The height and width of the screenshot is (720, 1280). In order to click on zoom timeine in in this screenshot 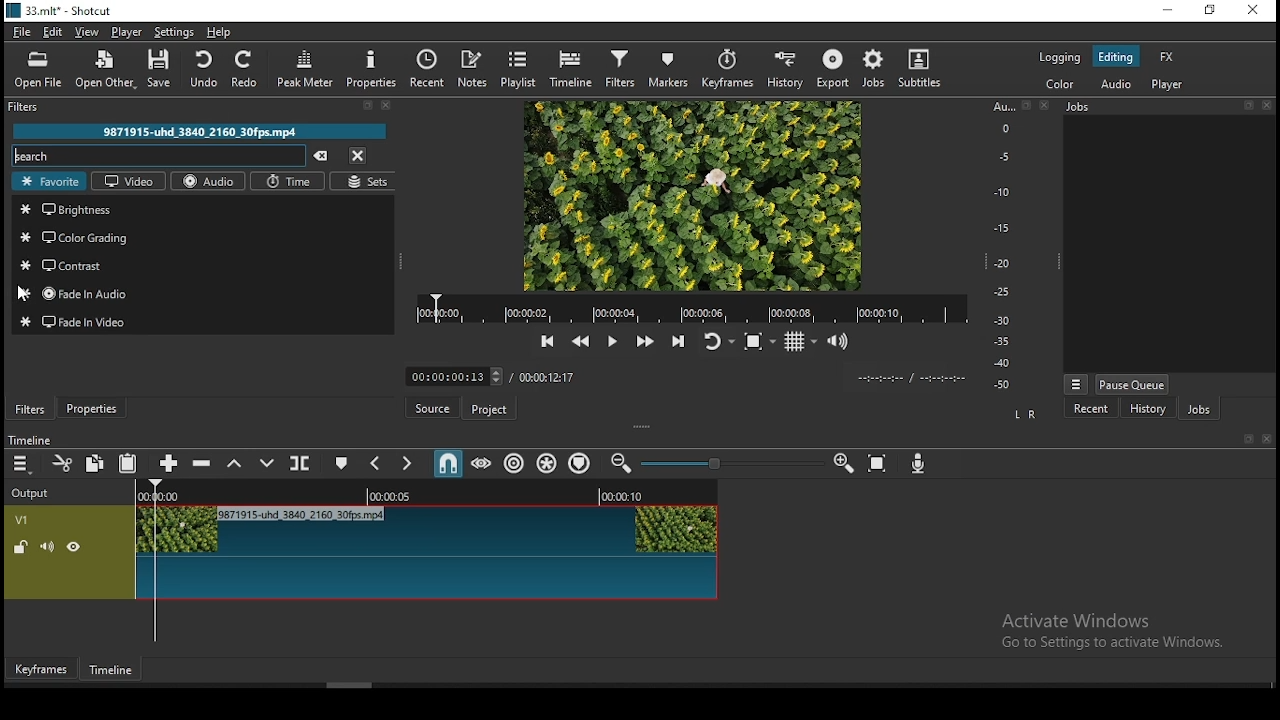, I will do `click(844, 465)`.